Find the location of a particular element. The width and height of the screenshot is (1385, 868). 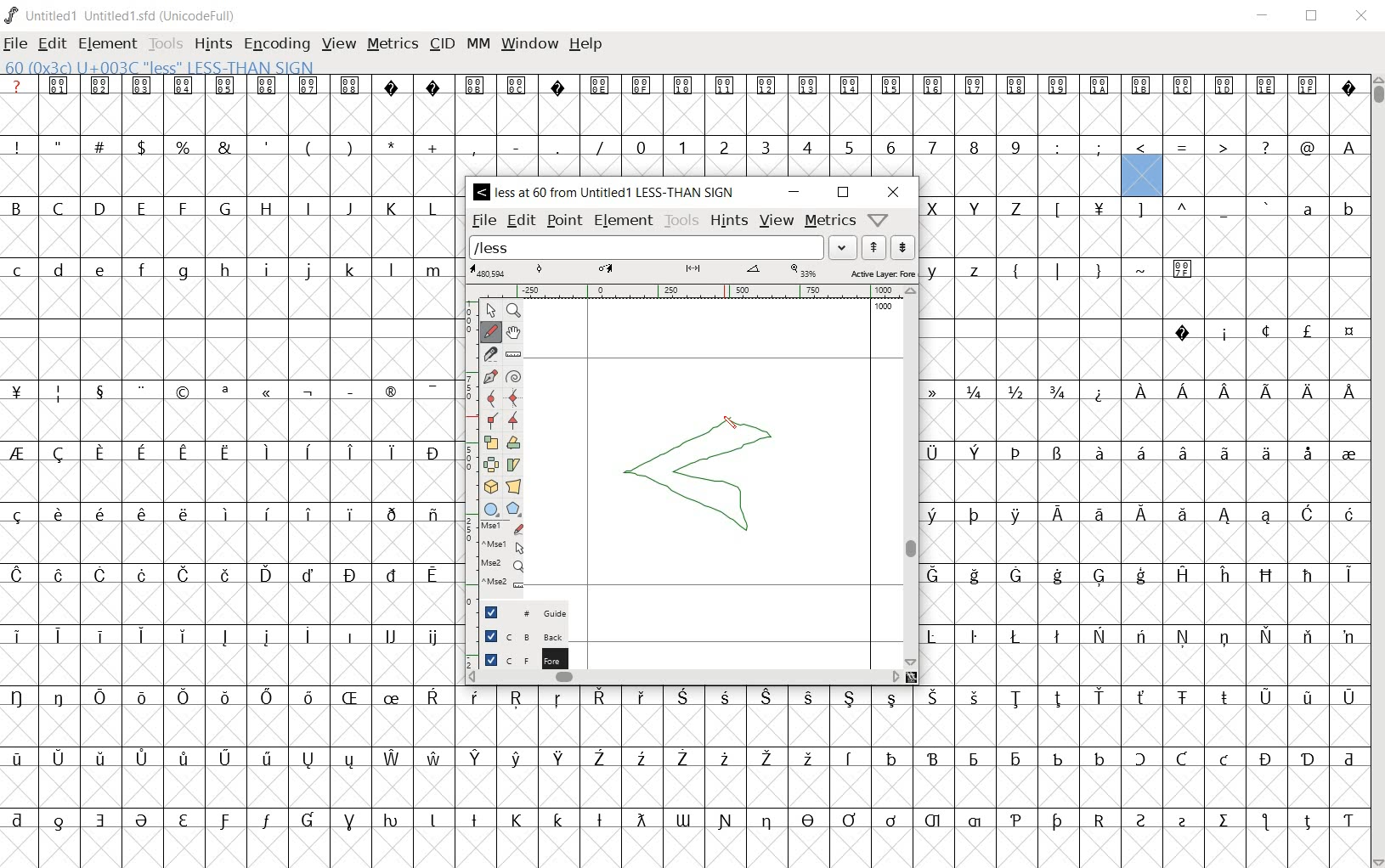

metrics is located at coordinates (830, 222).